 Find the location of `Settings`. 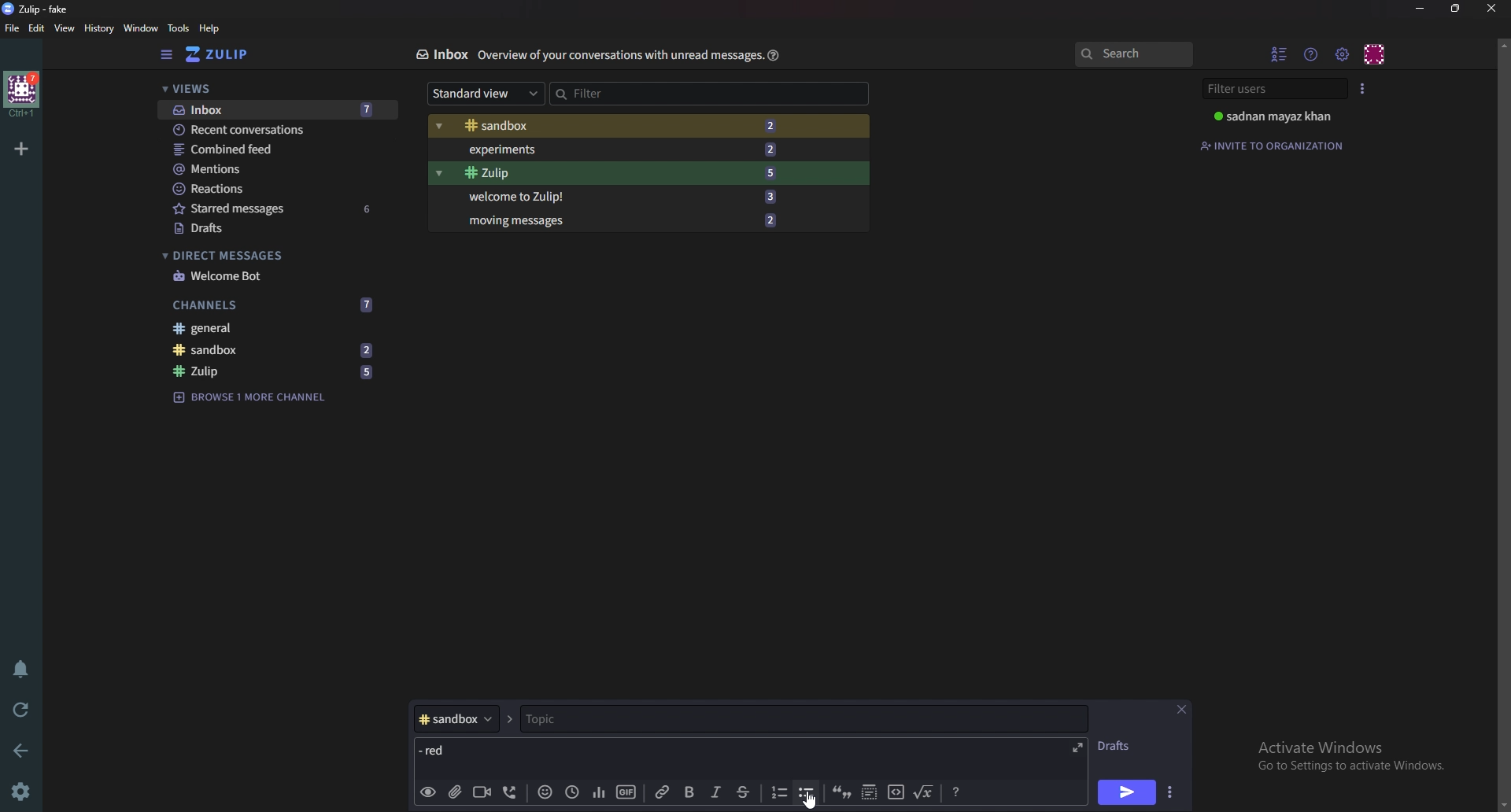

Settings is located at coordinates (20, 793).